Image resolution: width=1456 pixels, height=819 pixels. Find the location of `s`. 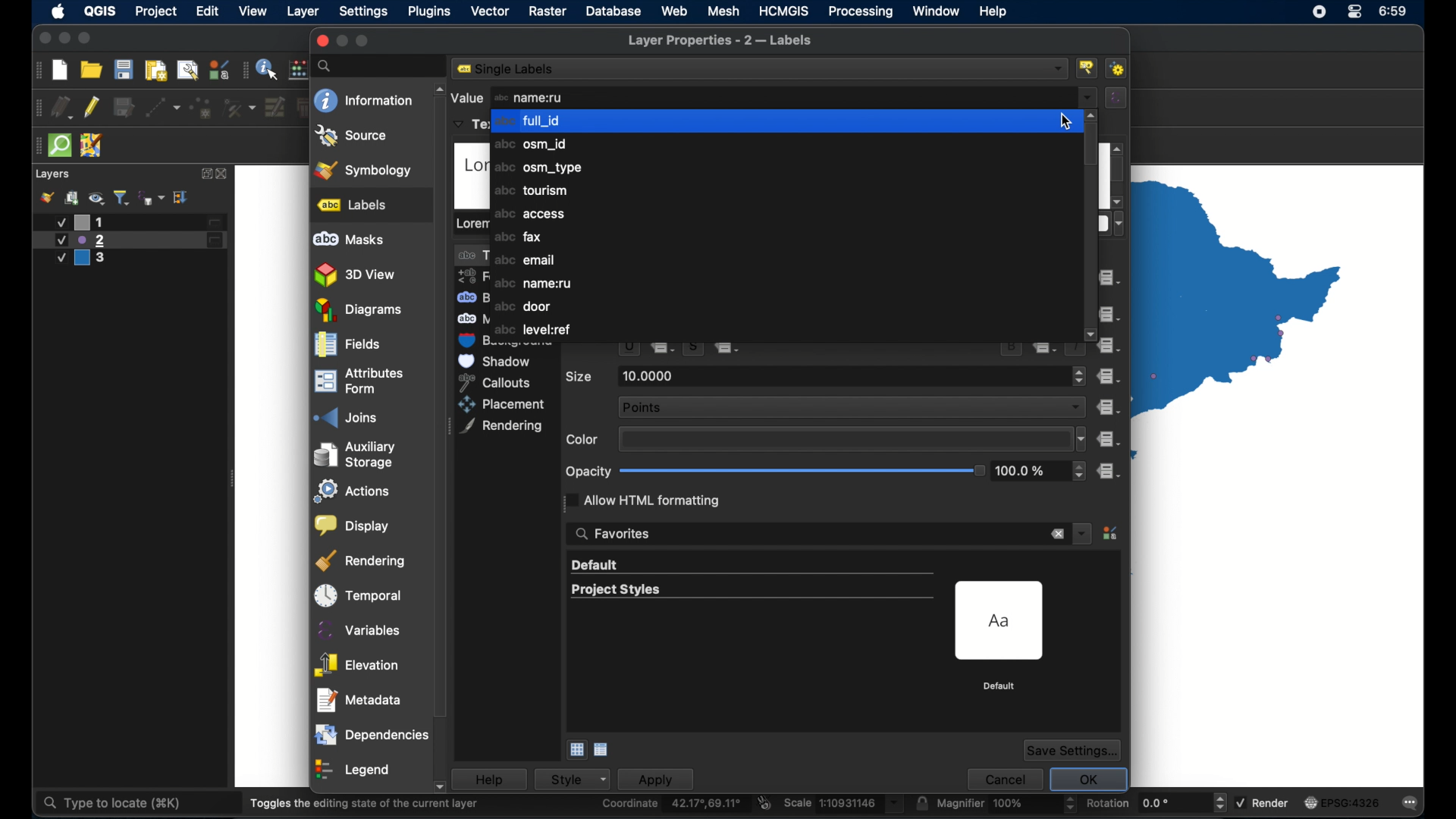

s is located at coordinates (693, 350).